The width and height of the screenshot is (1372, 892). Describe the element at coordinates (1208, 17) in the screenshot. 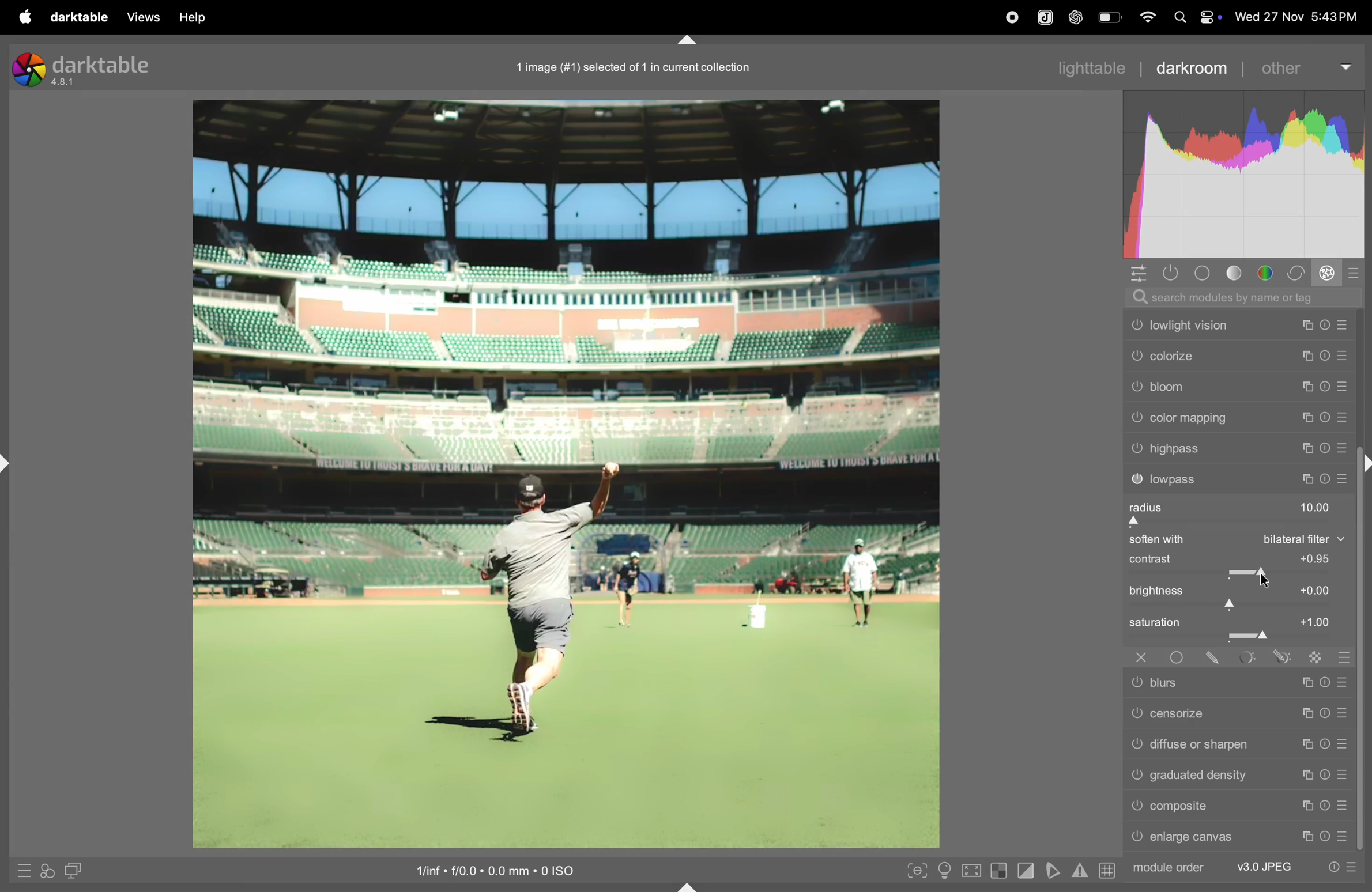

I see `apple widgets` at that location.